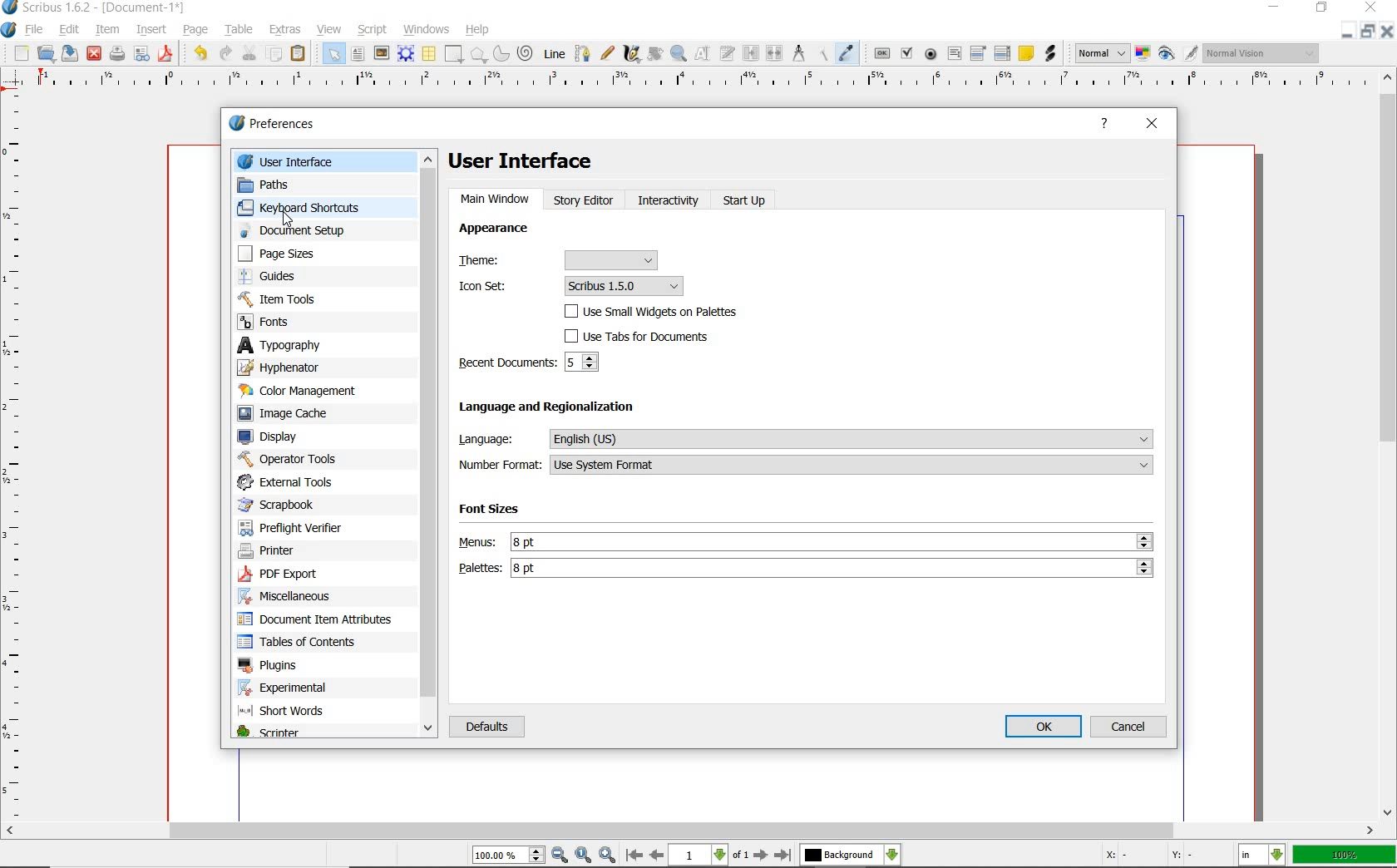 This screenshot has height=868, width=1397. What do you see at coordinates (167, 55) in the screenshot?
I see `save as pdf` at bounding box center [167, 55].